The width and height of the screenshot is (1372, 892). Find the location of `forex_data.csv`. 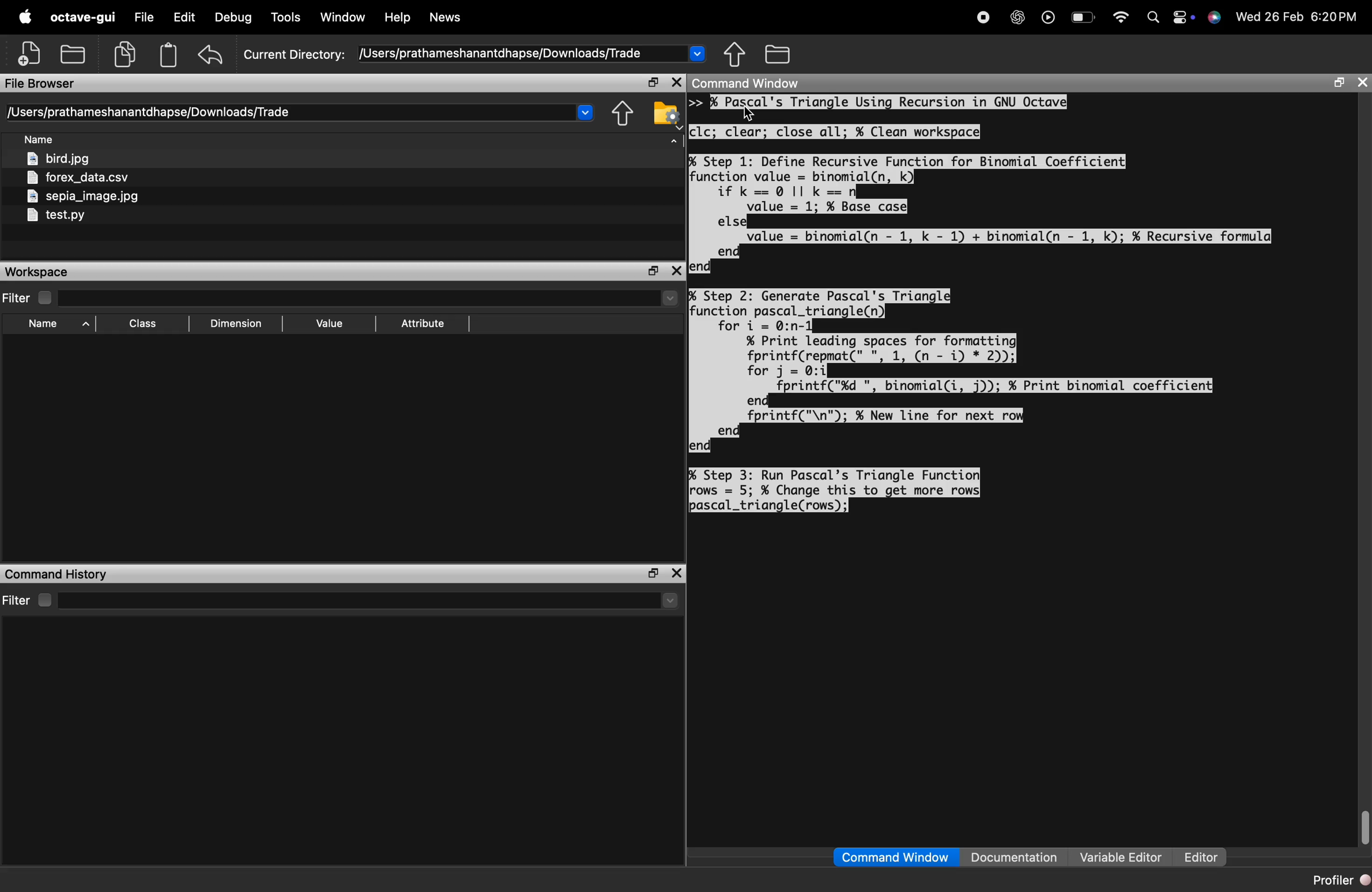

forex_data.csv is located at coordinates (80, 179).